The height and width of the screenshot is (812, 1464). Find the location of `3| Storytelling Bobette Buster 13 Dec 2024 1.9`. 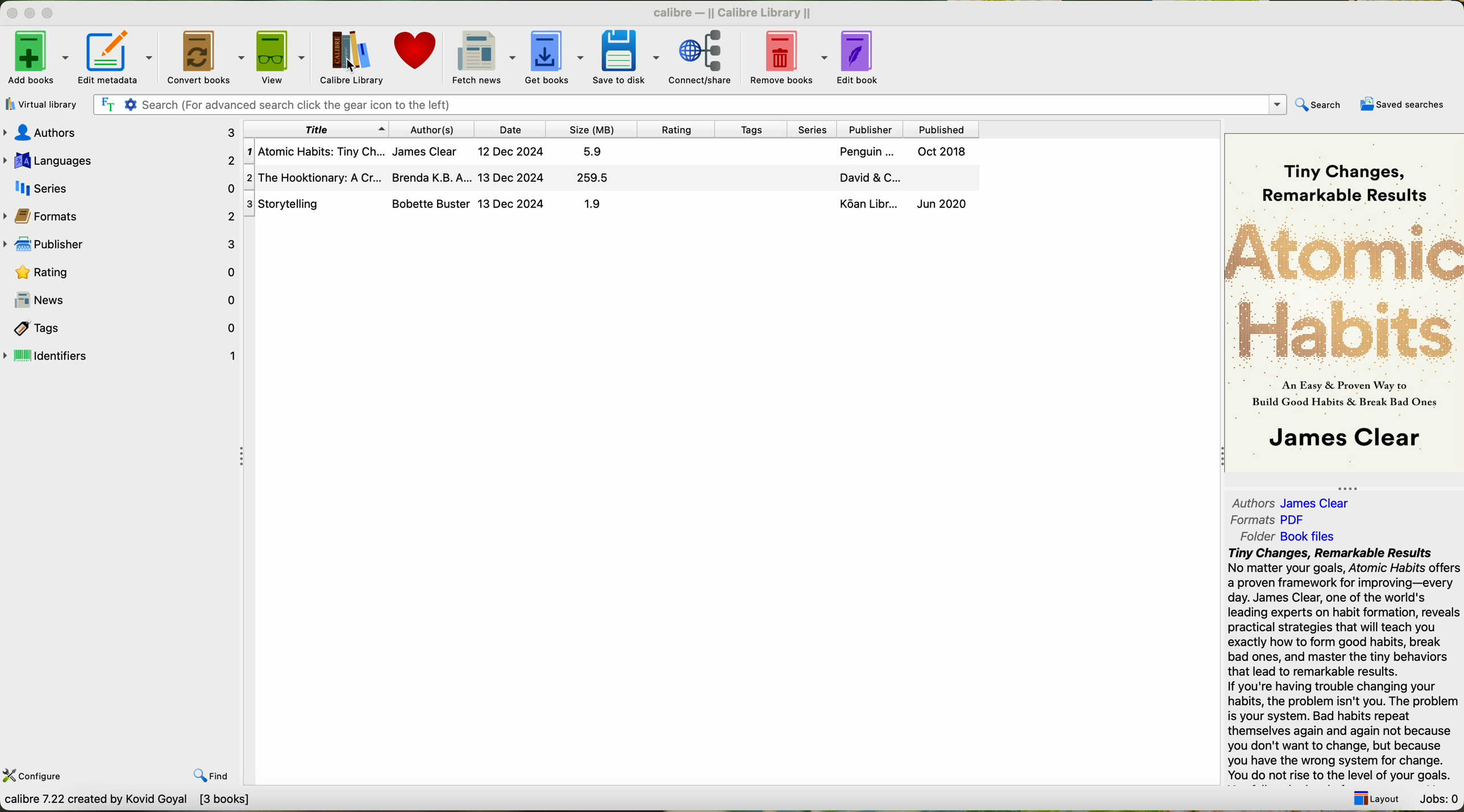

3| Storytelling Bobette Buster 13 Dec 2024 1.9 is located at coordinates (442, 204).